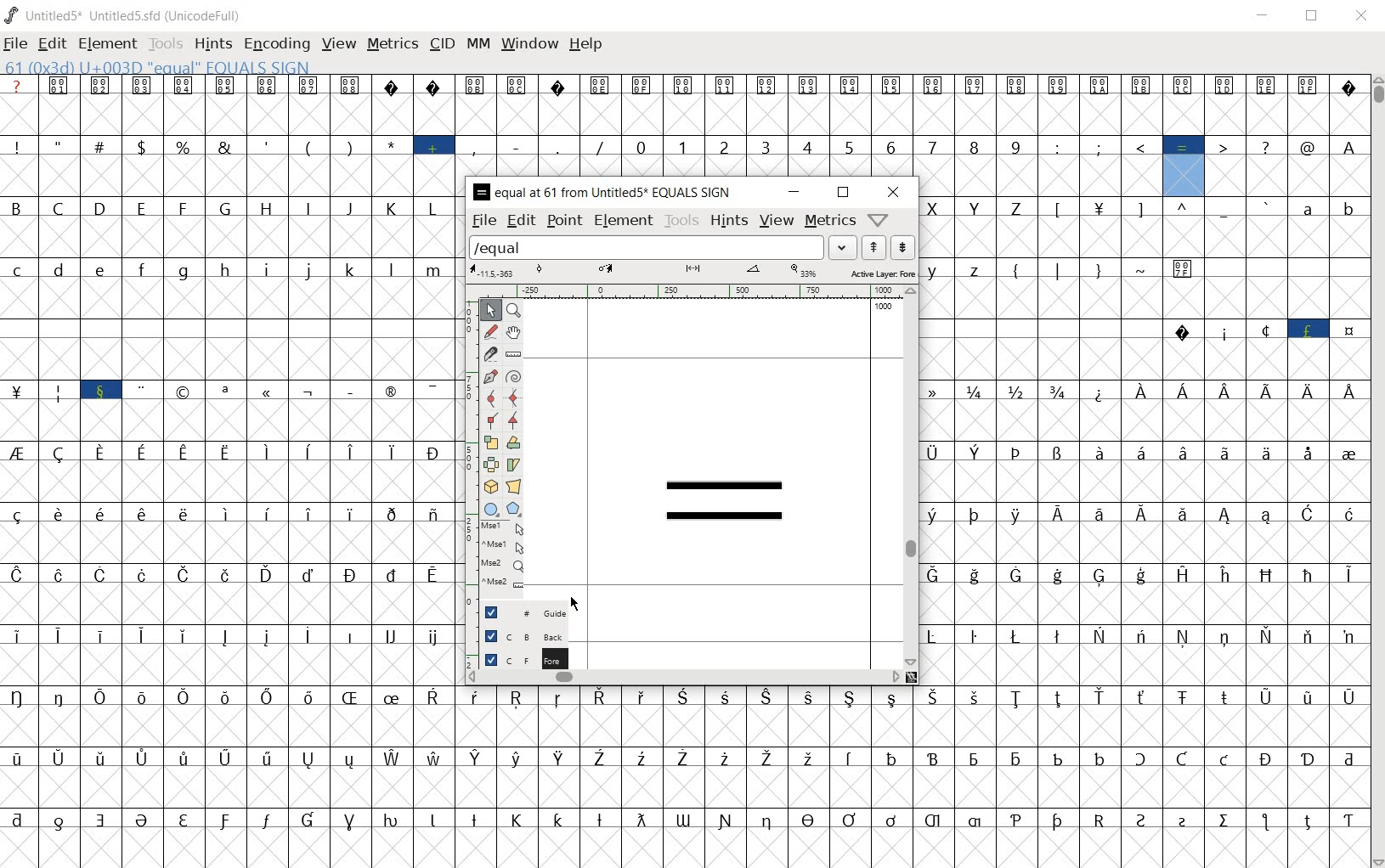 This screenshot has width=1385, height=868. Describe the element at coordinates (1361, 17) in the screenshot. I see `close` at that location.